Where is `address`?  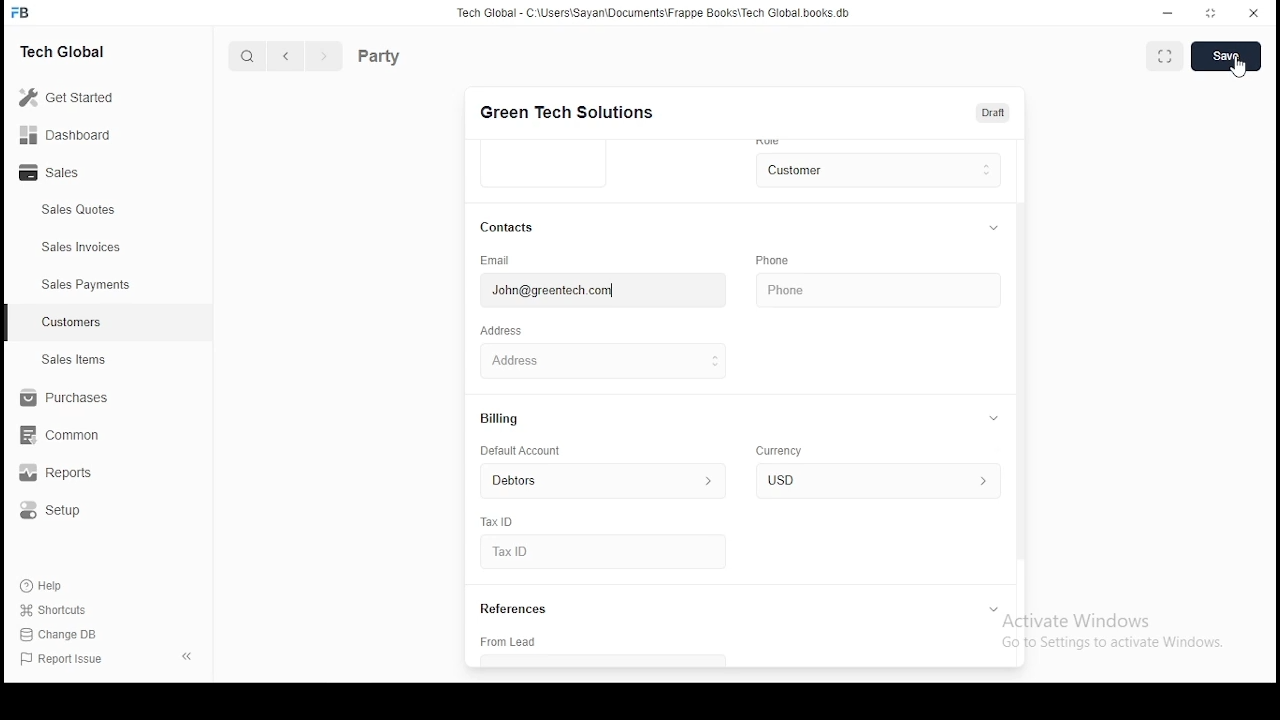 address is located at coordinates (505, 331).